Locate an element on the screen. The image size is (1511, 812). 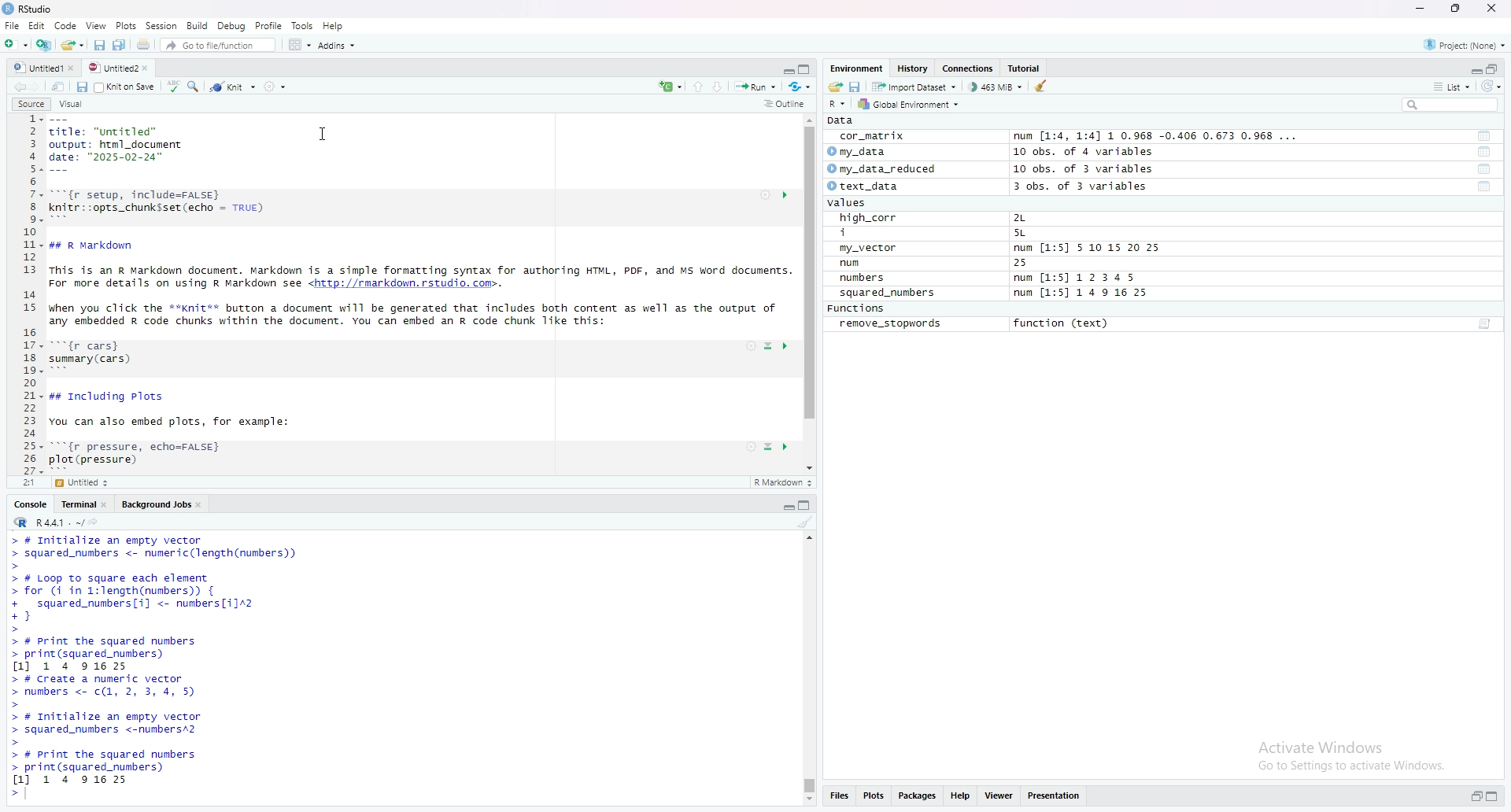
i is located at coordinates (863, 231).